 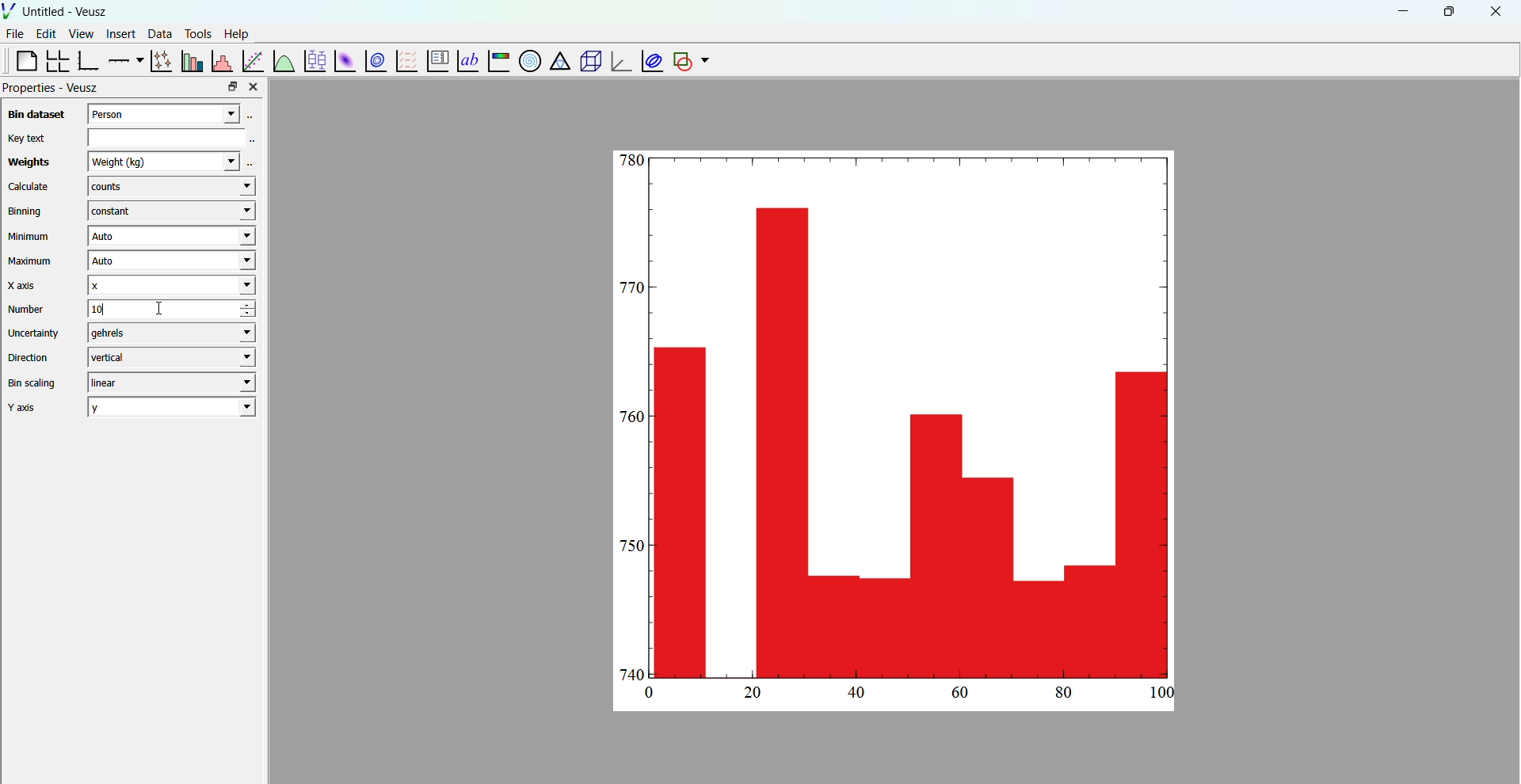 What do you see at coordinates (163, 315) in the screenshot?
I see `cursor` at bounding box center [163, 315].